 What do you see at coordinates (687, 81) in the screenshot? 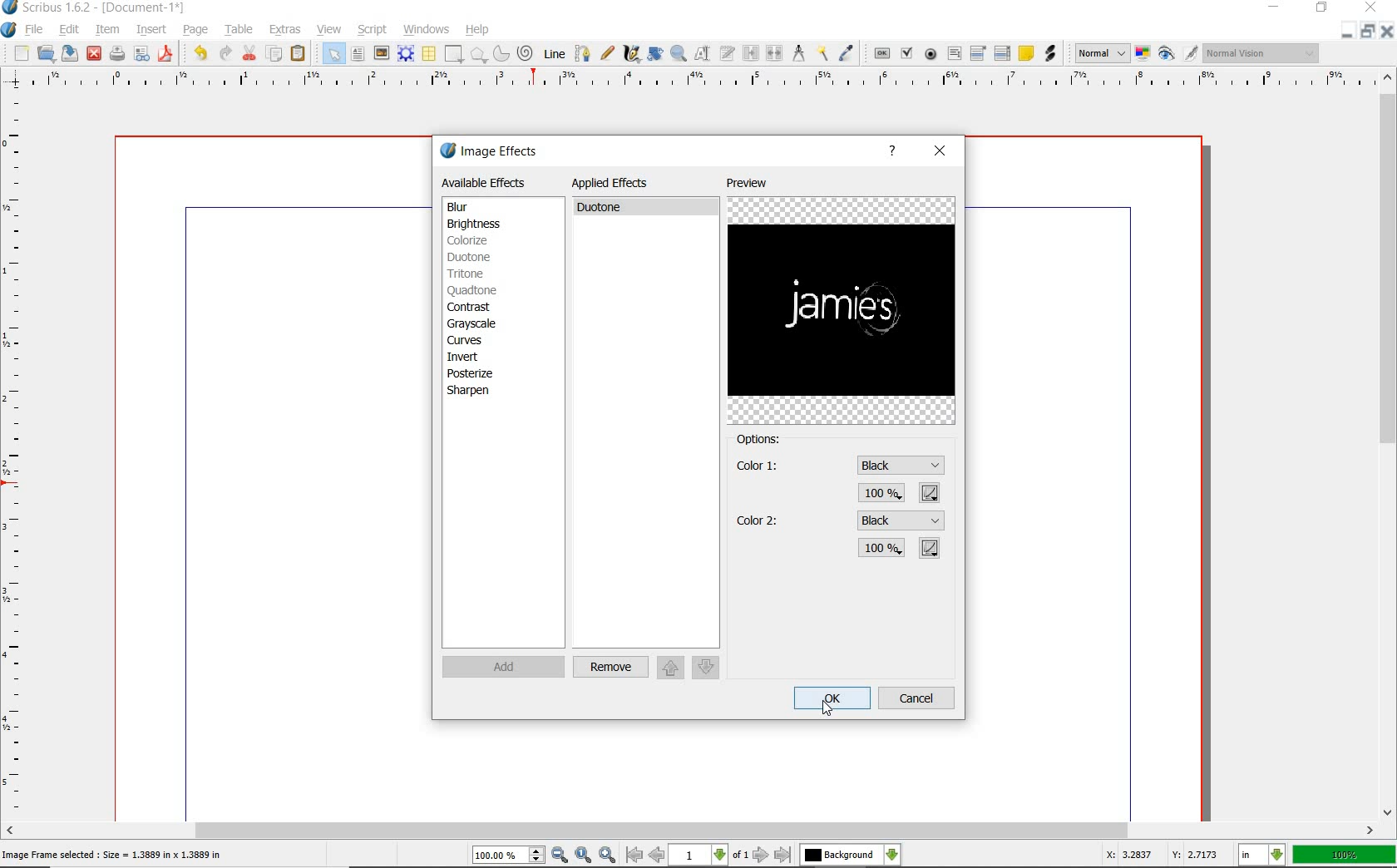
I see `ruler` at bounding box center [687, 81].